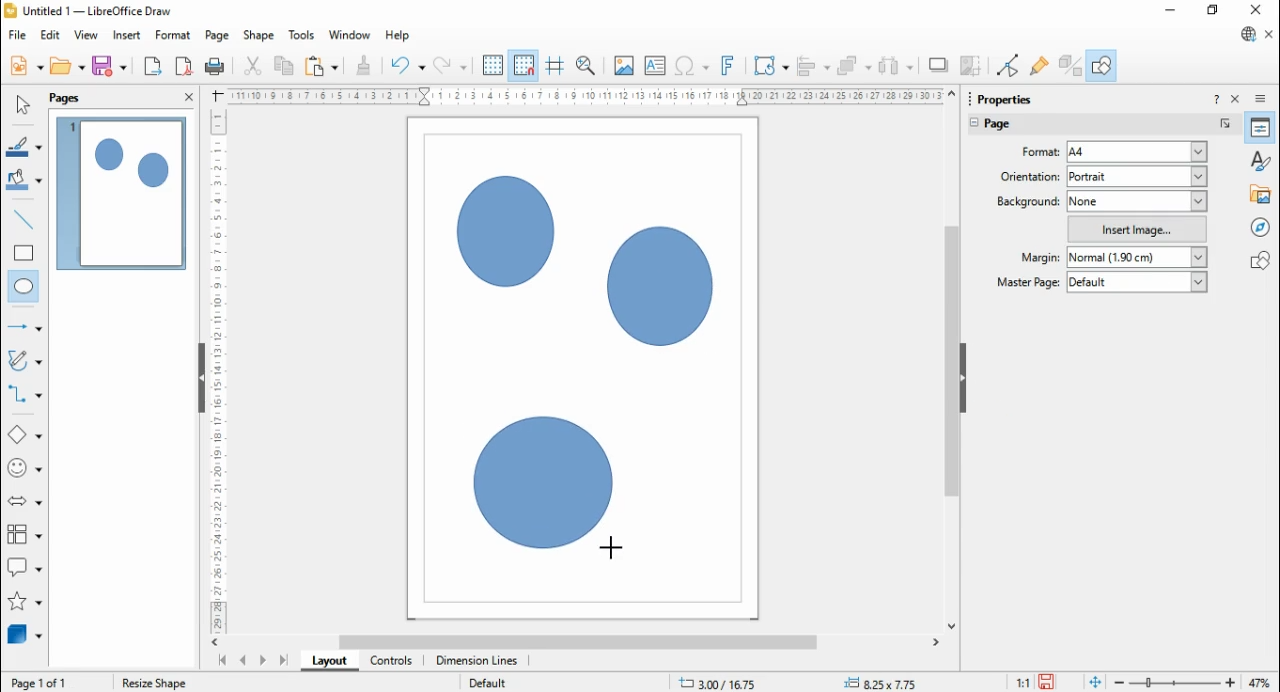  I want to click on normal, so click(1137, 258).